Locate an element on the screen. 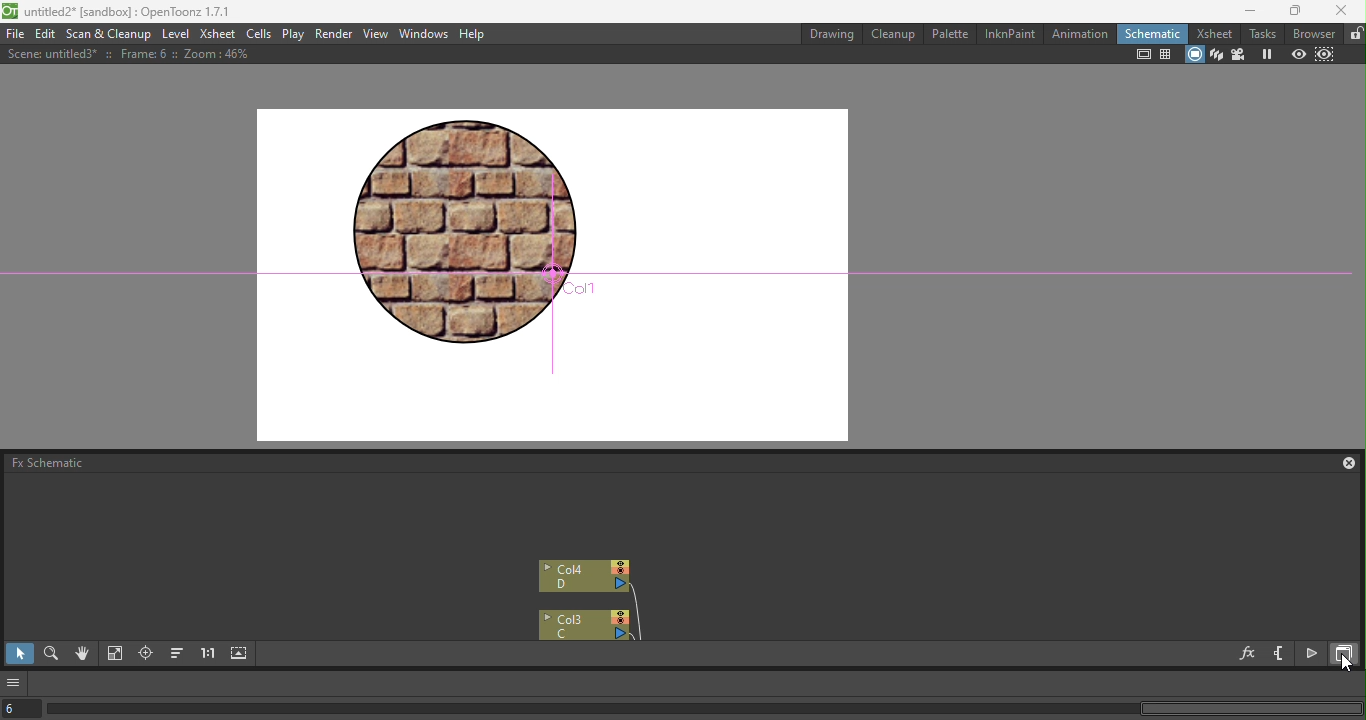  Cells  is located at coordinates (257, 35).